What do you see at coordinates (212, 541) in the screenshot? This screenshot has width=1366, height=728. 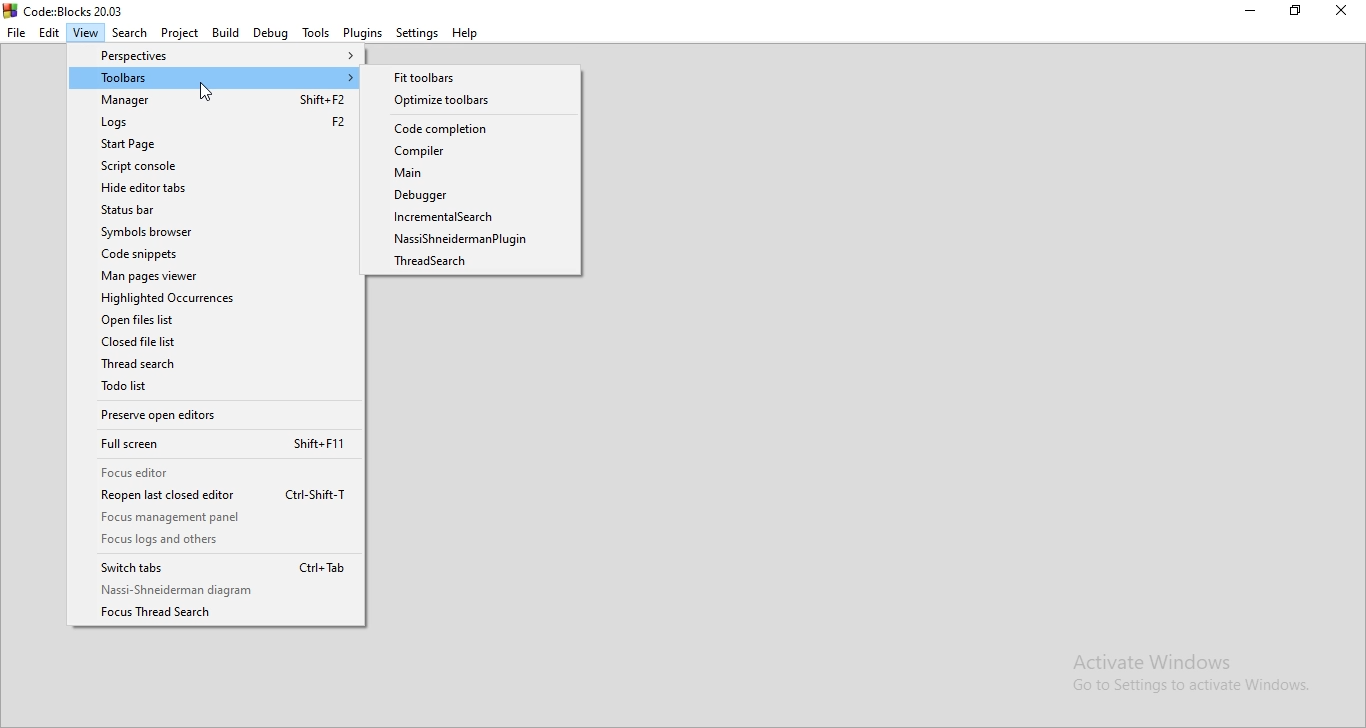 I see `Focus legs and others` at bounding box center [212, 541].